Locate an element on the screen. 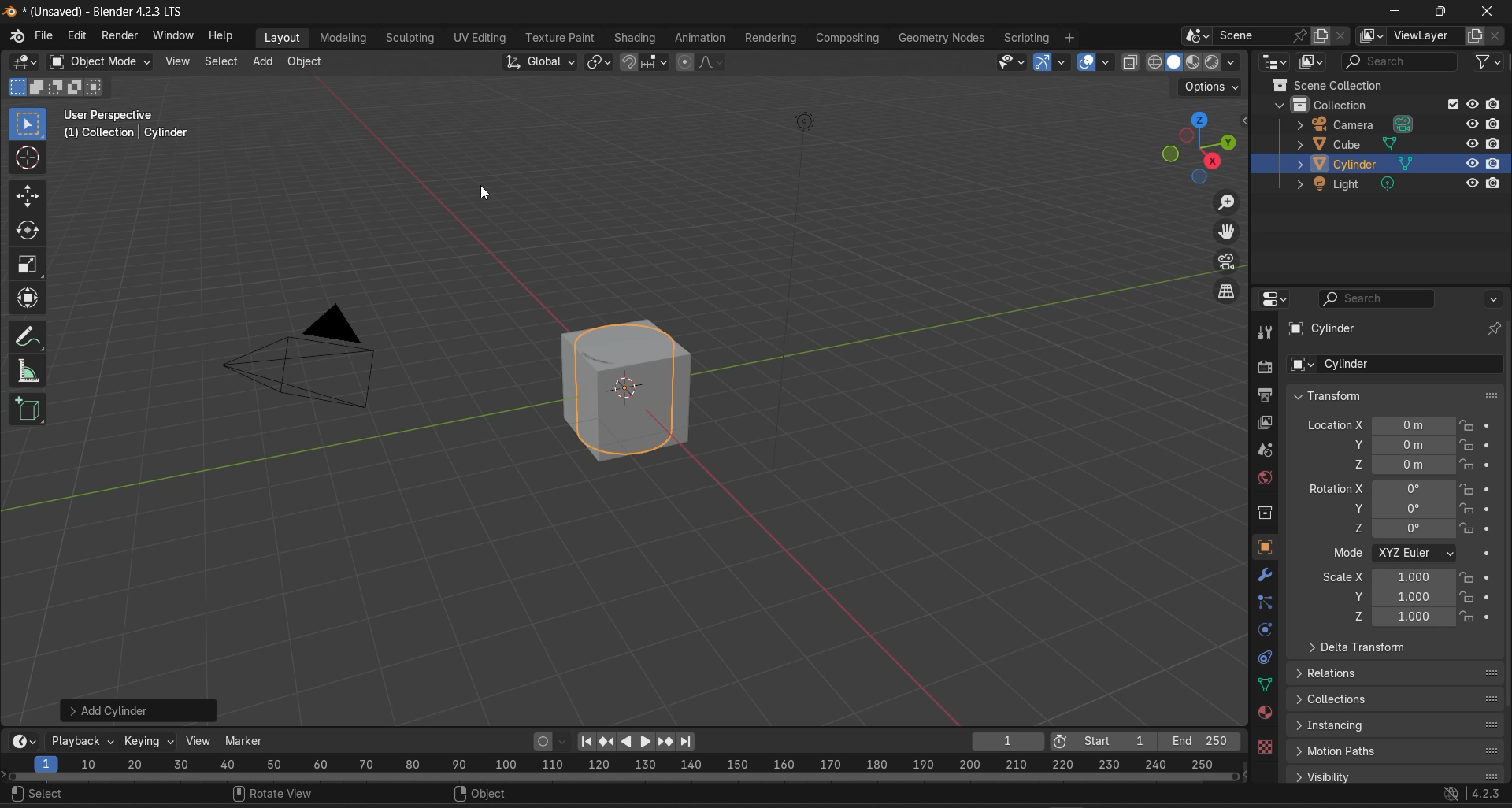  rotate view is located at coordinates (272, 795).